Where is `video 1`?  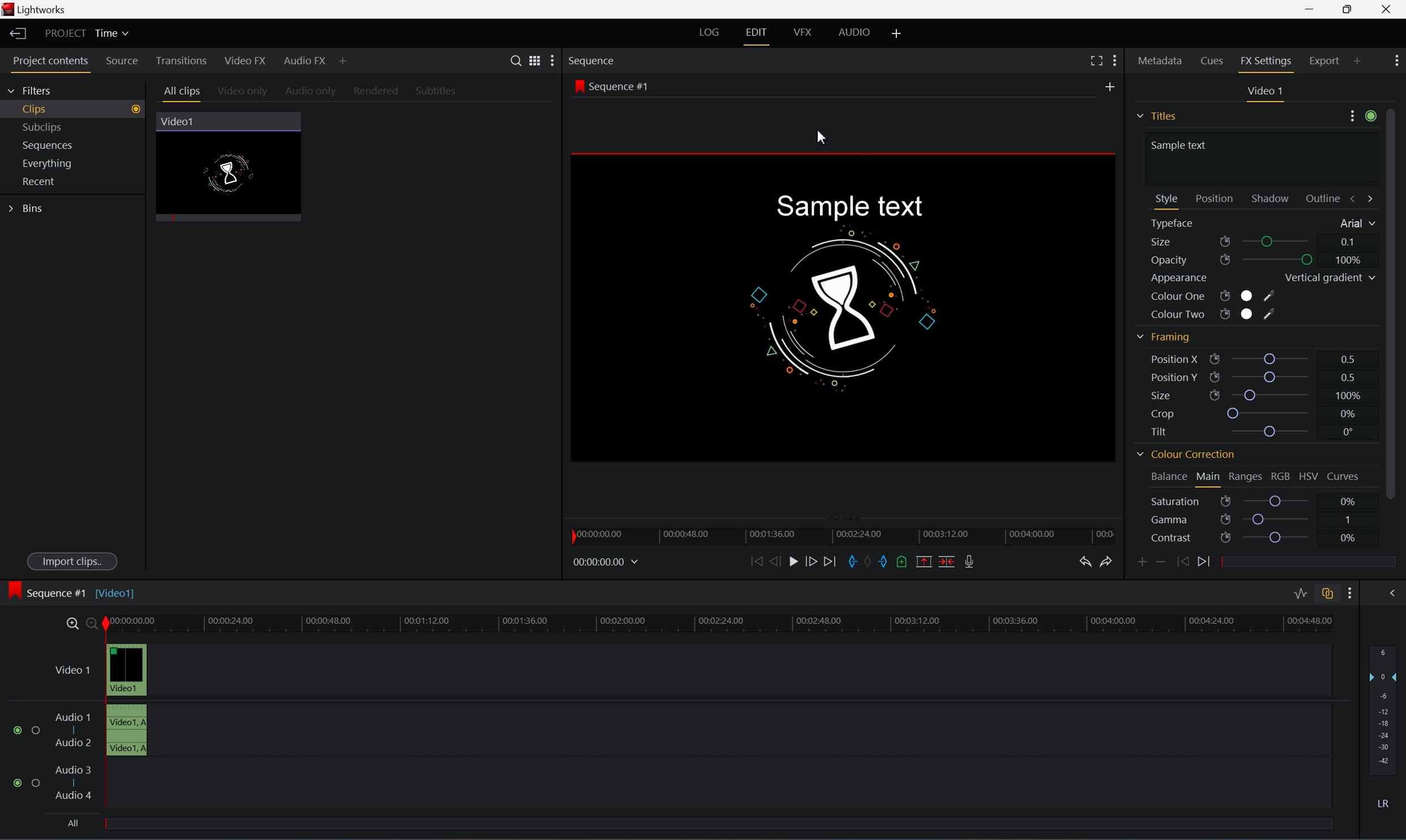 video 1 is located at coordinates (1267, 91).